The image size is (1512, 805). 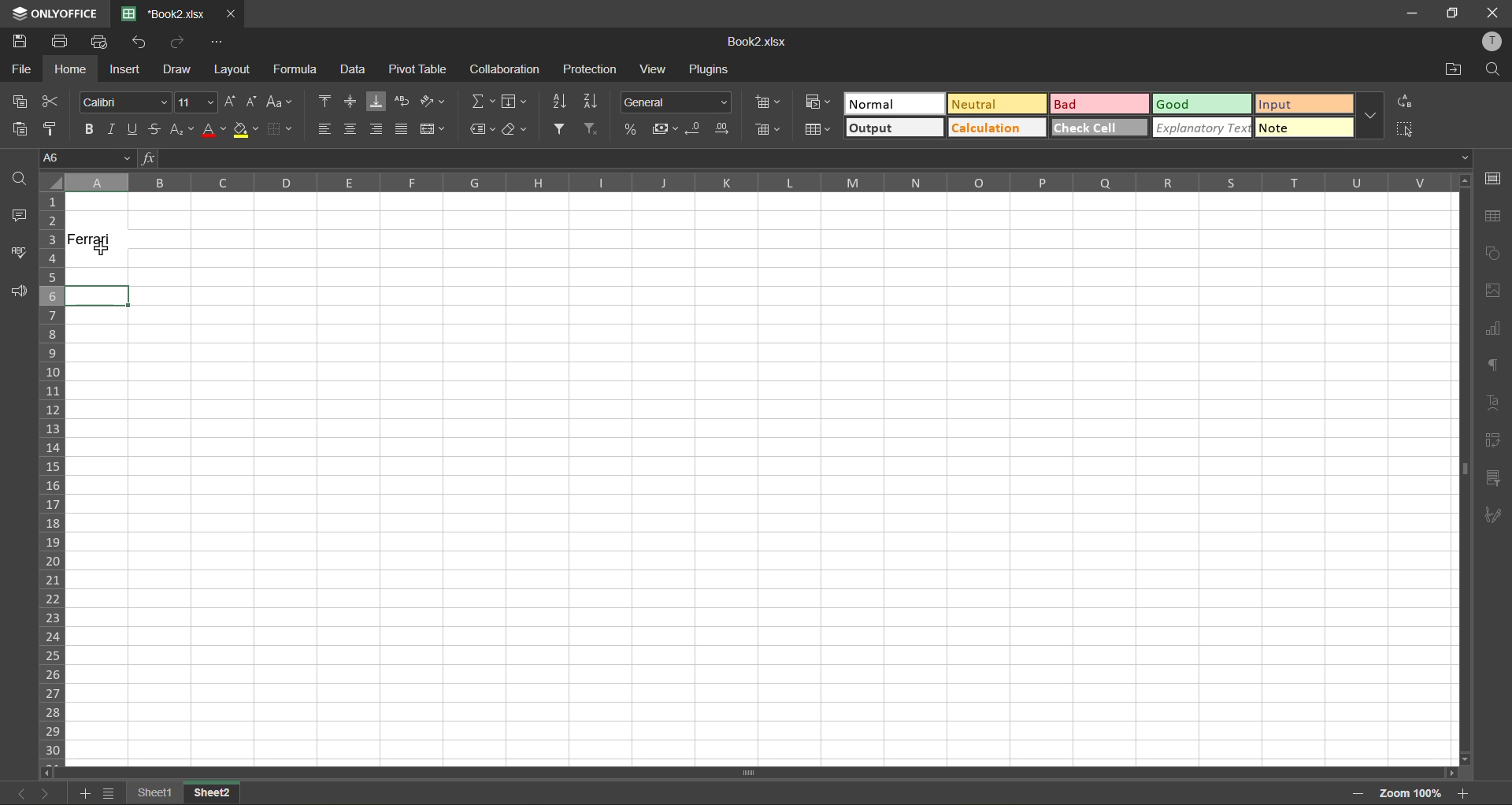 What do you see at coordinates (1494, 43) in the screenshot?
I see `profile` at bounding box center [1494, 43].